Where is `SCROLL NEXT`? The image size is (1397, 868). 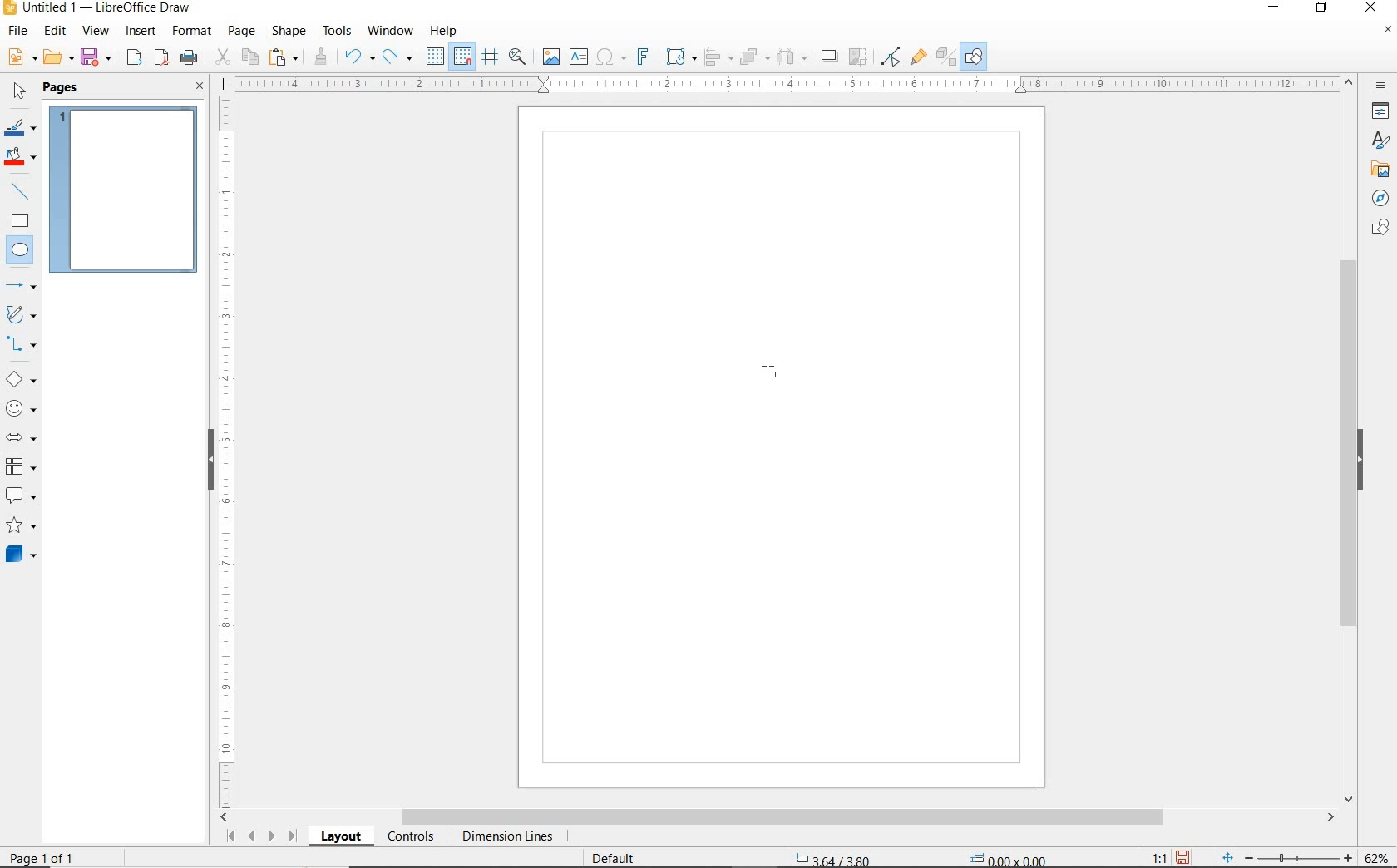
SCROLL NEXT is located at coordinates (259, 836).